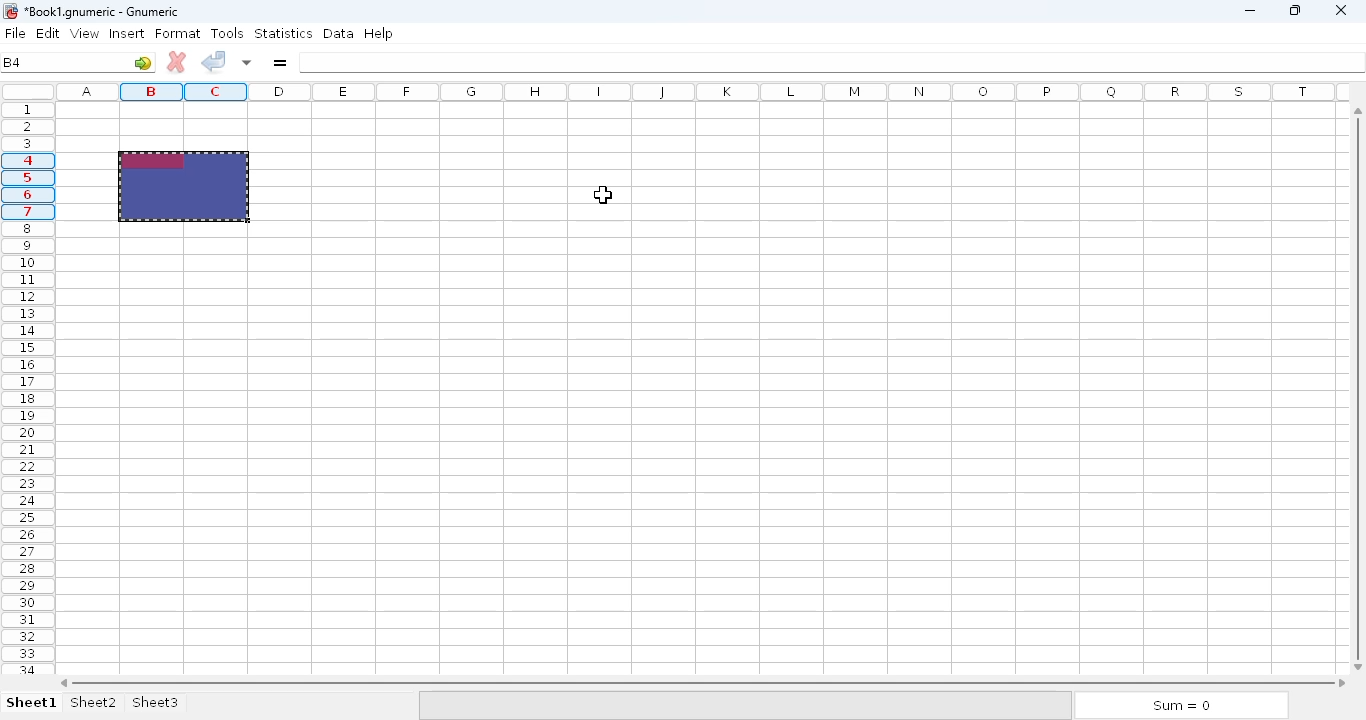 This screenshot has width=1366, height=720. What do you see at coordinates (126, 33) in the screenshot?
I see `insert` at bounding box center [126, 33].